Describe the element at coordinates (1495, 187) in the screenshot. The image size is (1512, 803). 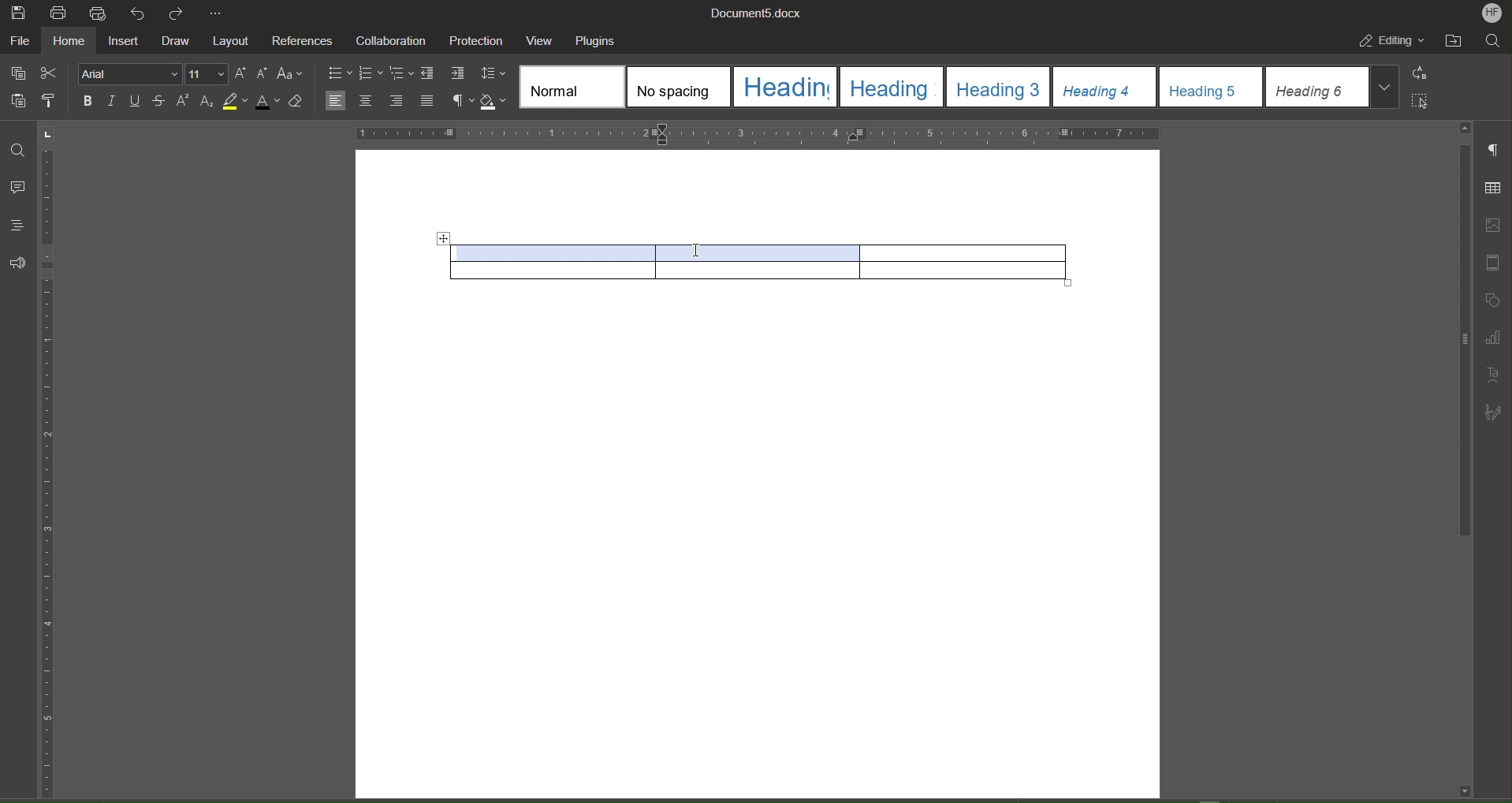
I see `Table Settings` at that location.